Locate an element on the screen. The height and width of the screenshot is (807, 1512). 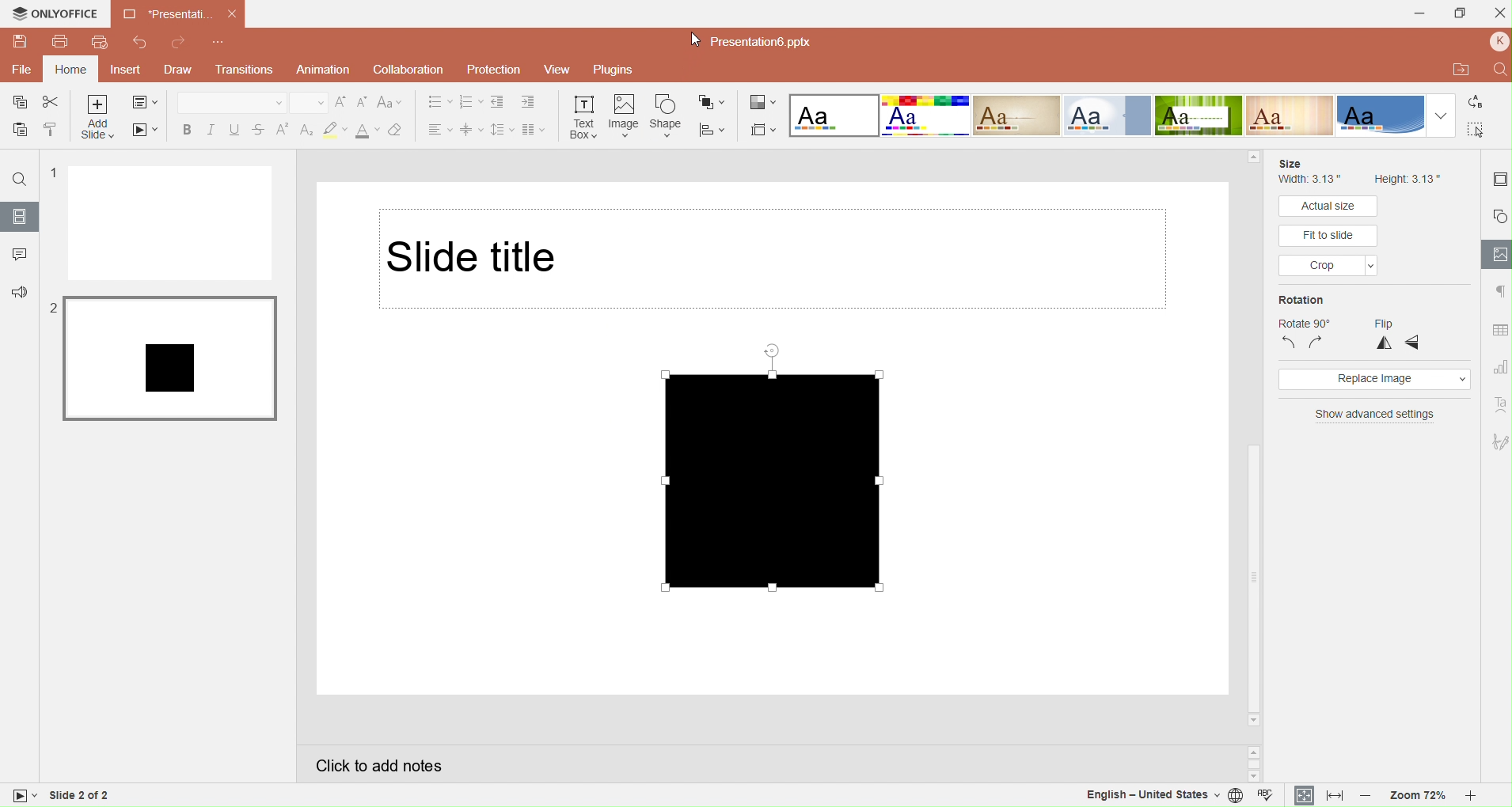
Close is located at coordinates (1498, 13).